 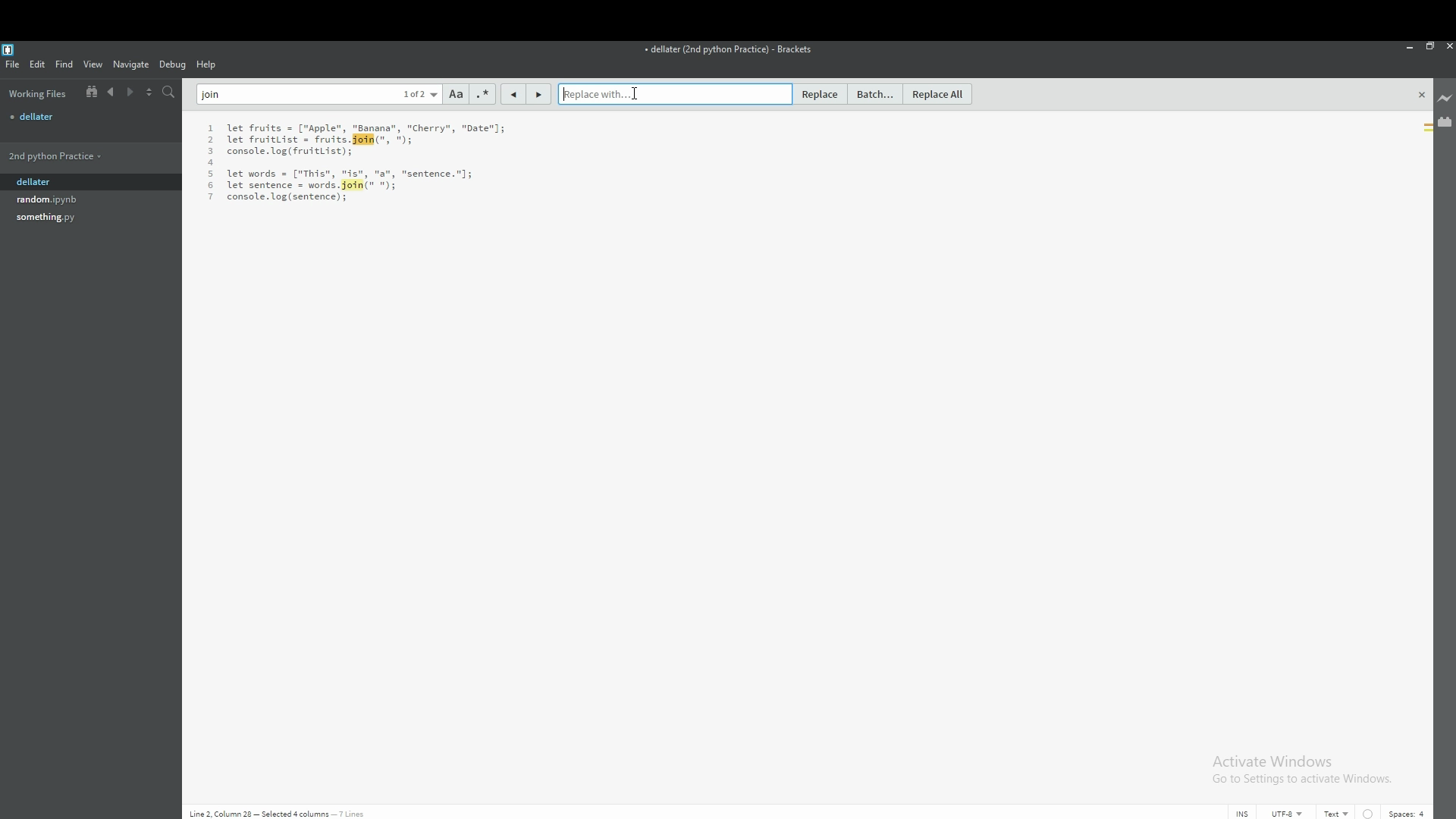 I want to click on replace, so click(x=819, y=94).